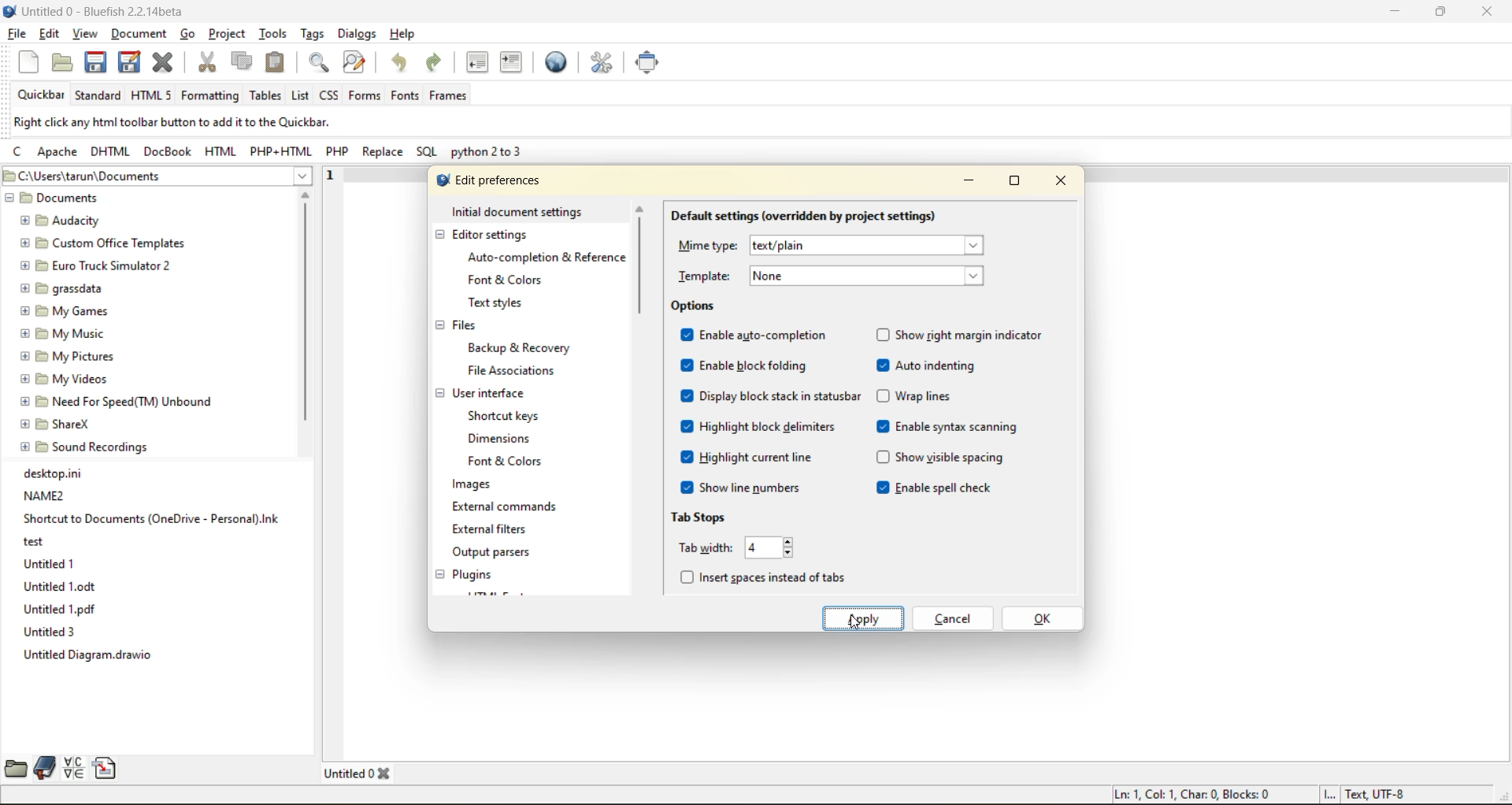 The width and height of the screenshot is (1512, 805). Describe the element at coordinates (92, 62) in the screenshot. I see `save` at that location.